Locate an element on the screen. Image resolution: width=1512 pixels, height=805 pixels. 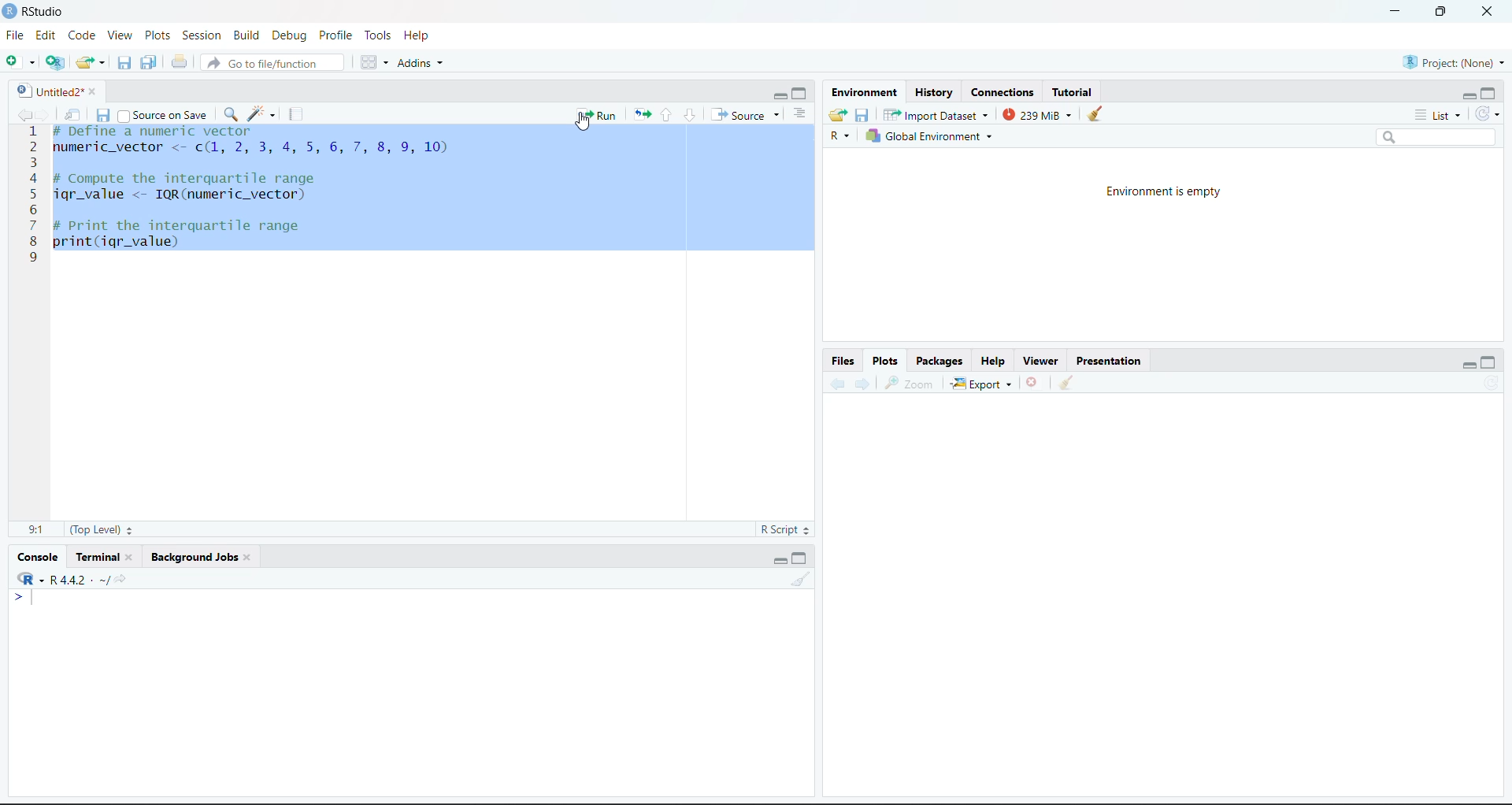
Project (Note) is located at coordinates (1452, 61).